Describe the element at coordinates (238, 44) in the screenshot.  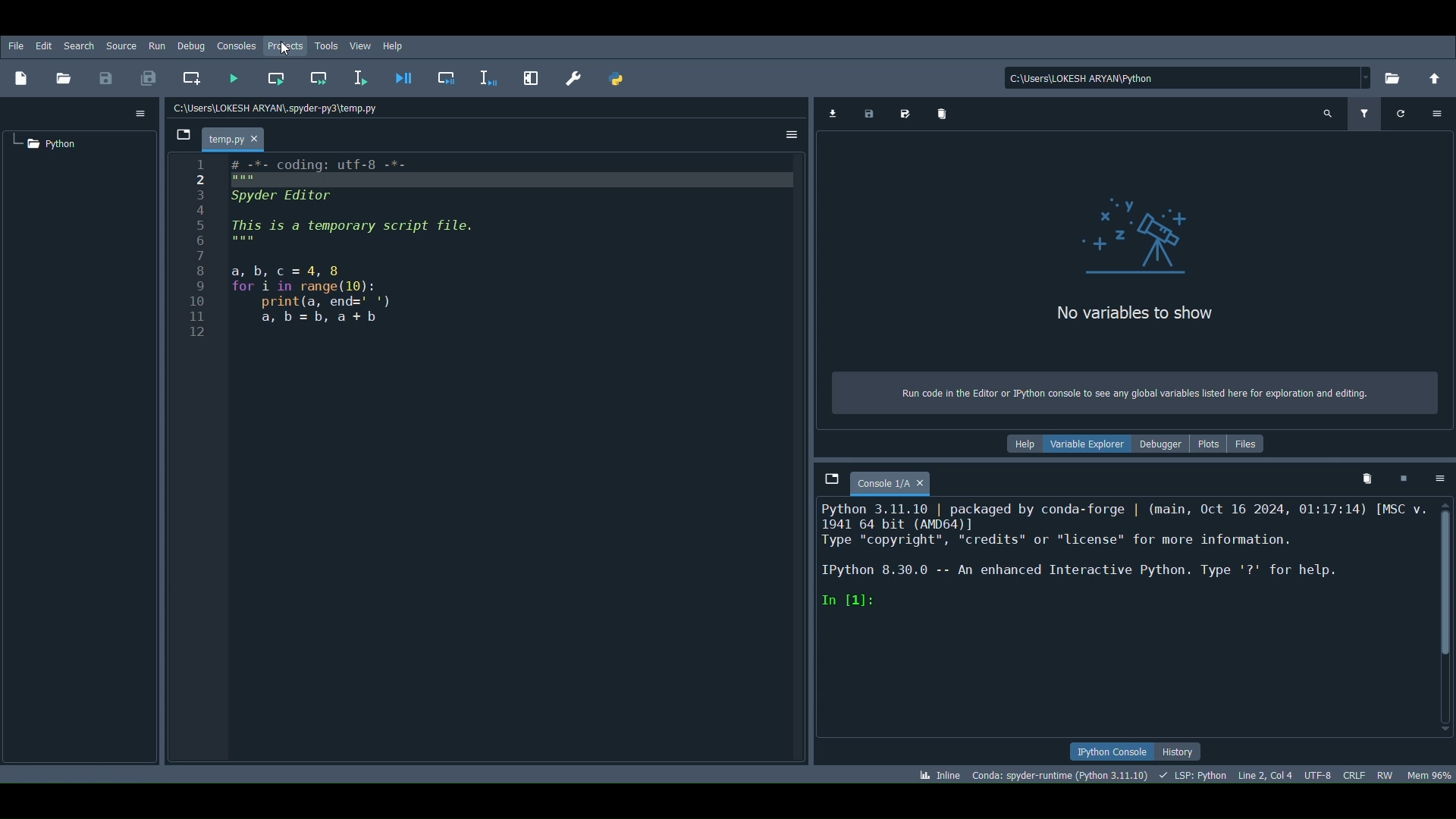
I see `Consoles` at that location.